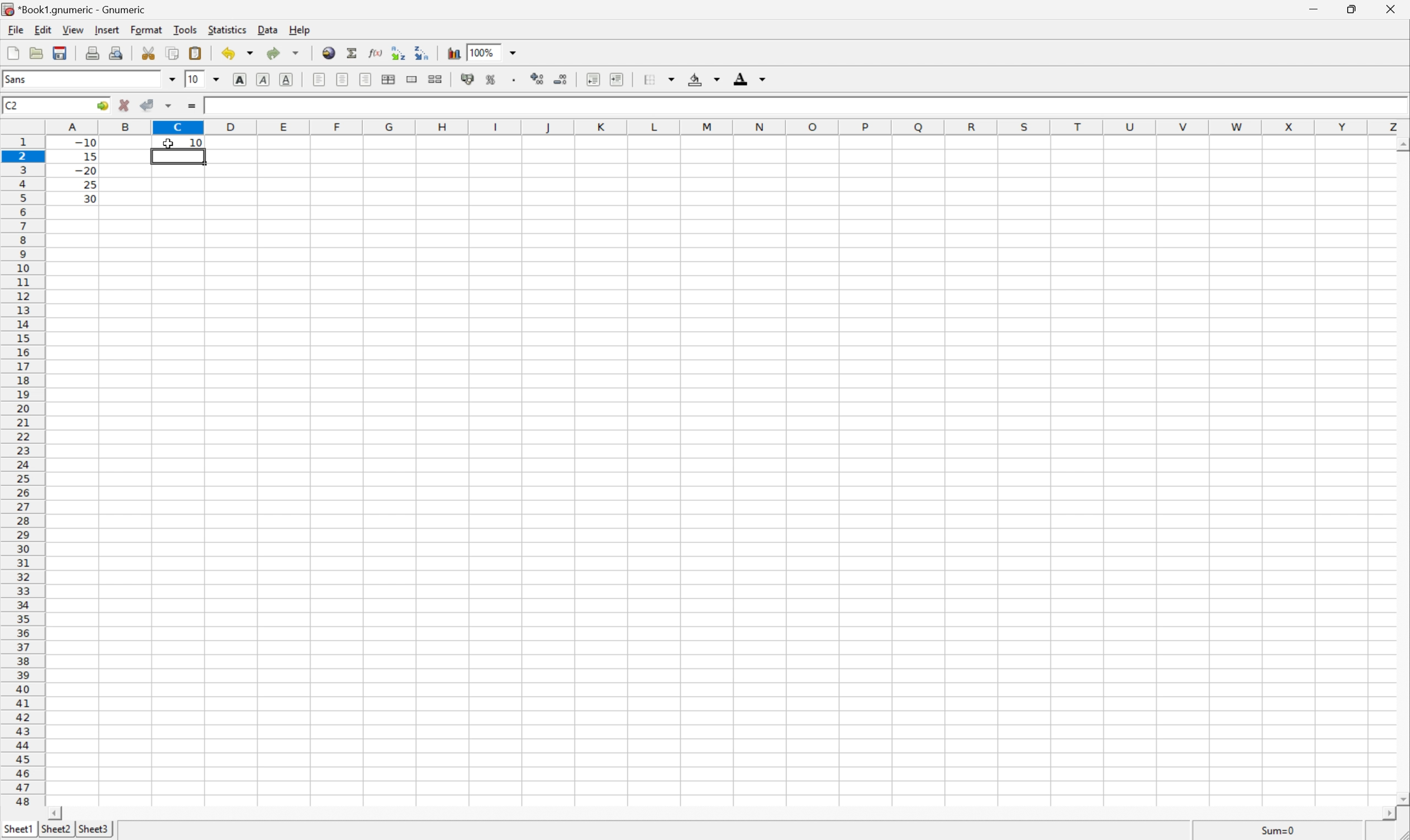  What do you see at coordinates (454, 52) in the screenshot?
I see `Insert chart` at bounding box center [454, 52].